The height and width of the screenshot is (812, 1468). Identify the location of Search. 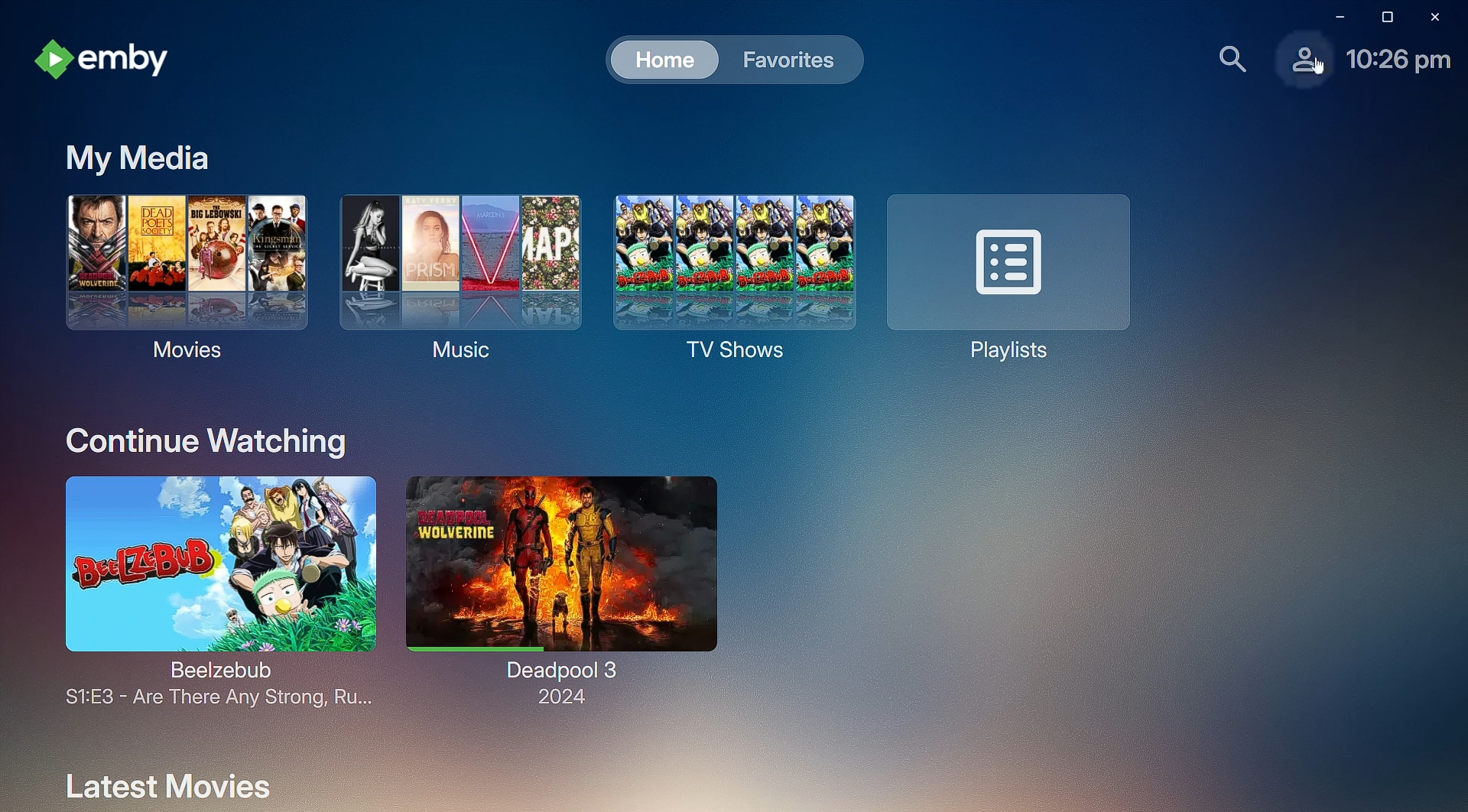
(1230, 60).